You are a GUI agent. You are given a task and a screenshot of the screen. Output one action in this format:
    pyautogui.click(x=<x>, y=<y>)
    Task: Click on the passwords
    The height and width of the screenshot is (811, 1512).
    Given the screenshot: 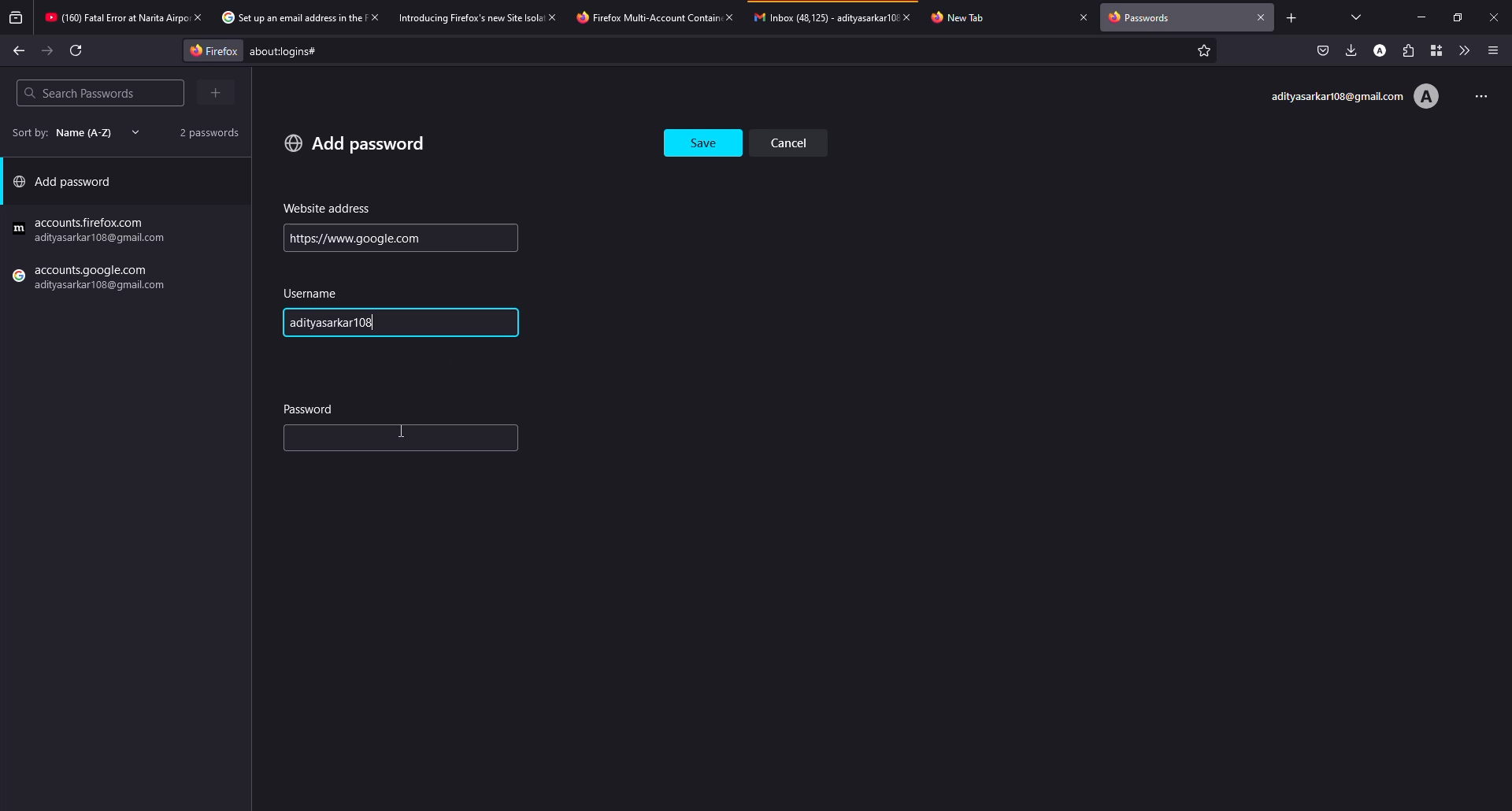 What is the action you would take?
    pyautogui.click(x=1143, y=19)
    